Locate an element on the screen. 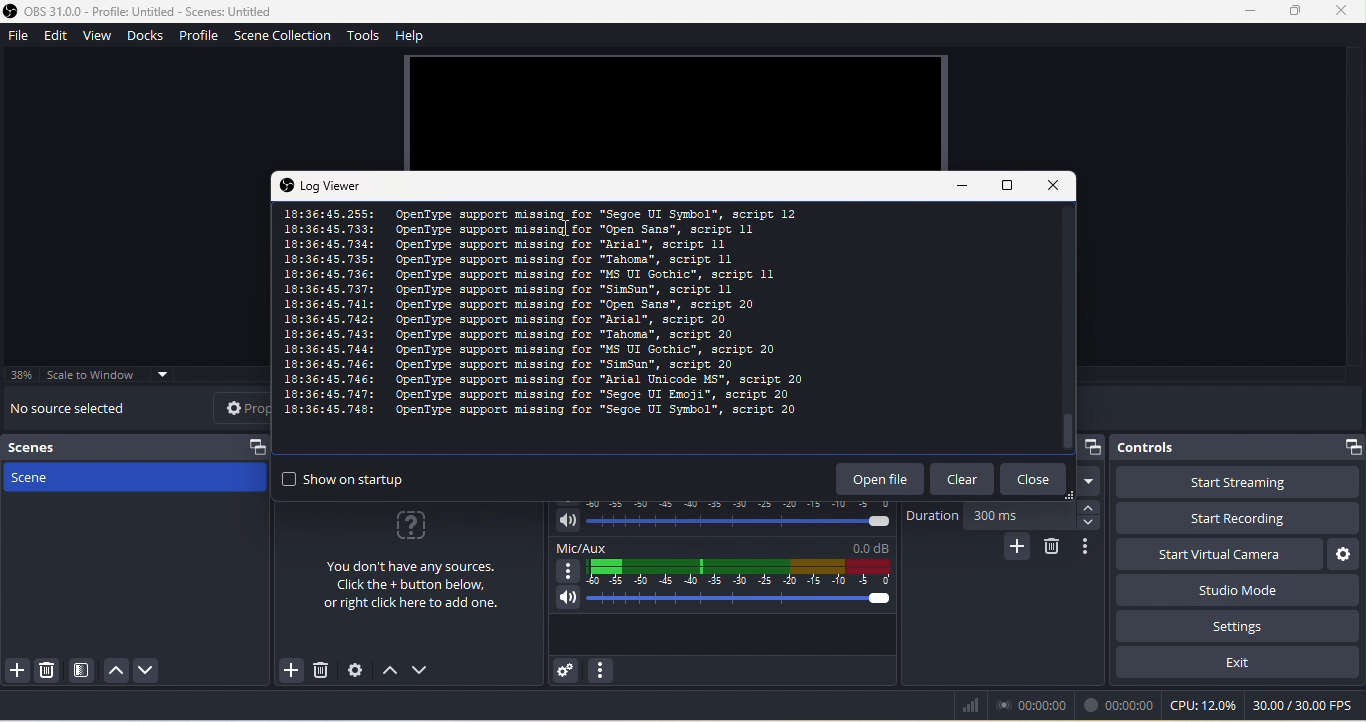  scene is located at coordinates (136, 482).